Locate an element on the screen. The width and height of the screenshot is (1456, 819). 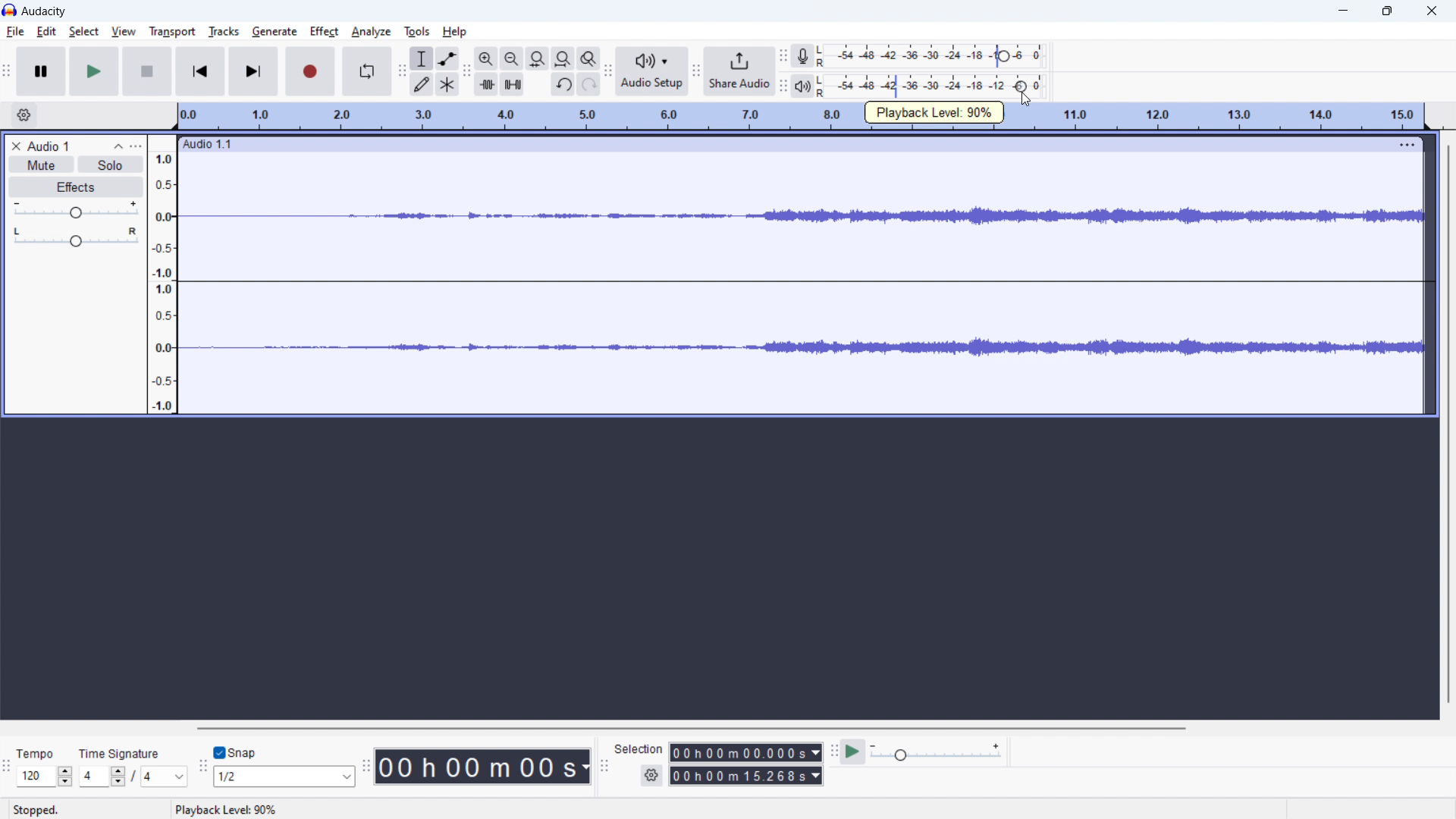
menu is located at coordinates (1408, 143).